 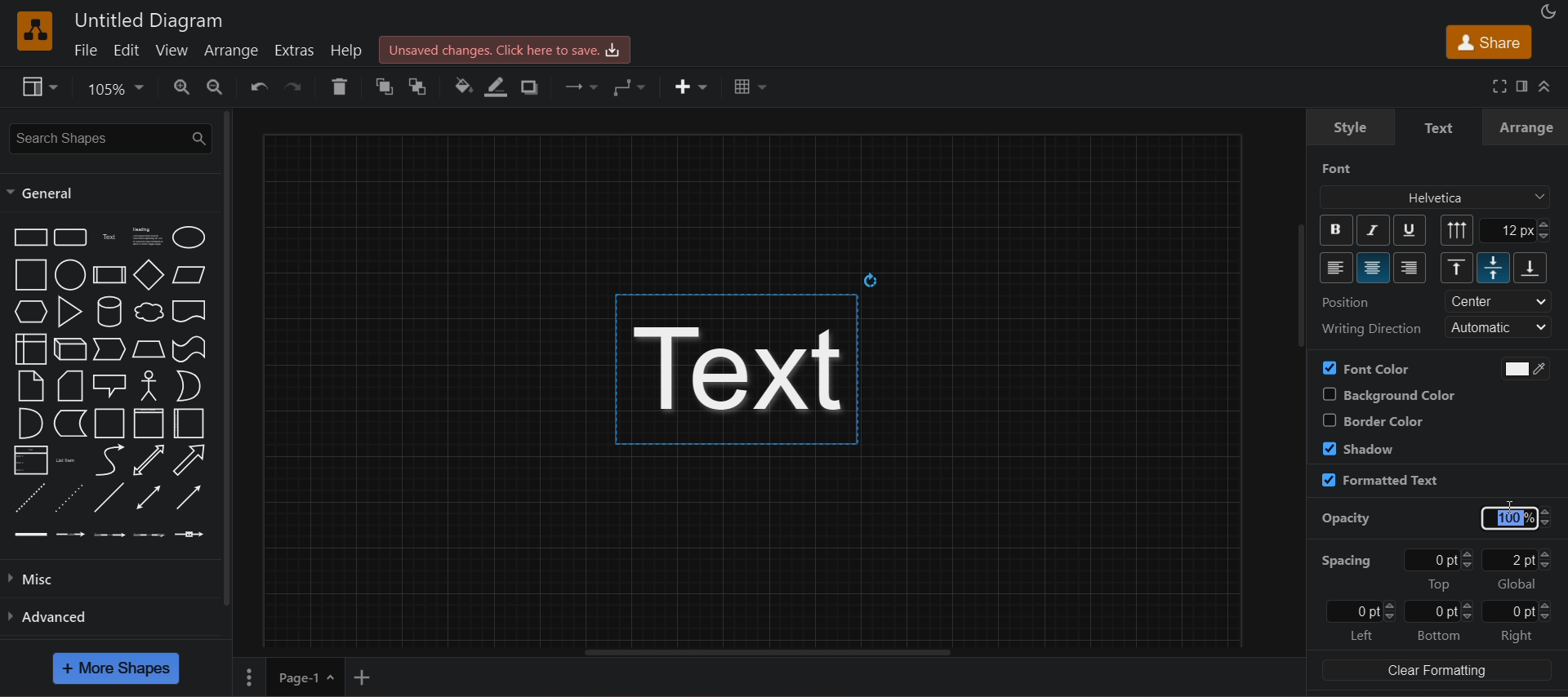 I want to click on bidirectional connector, so click(x=149, y=497).